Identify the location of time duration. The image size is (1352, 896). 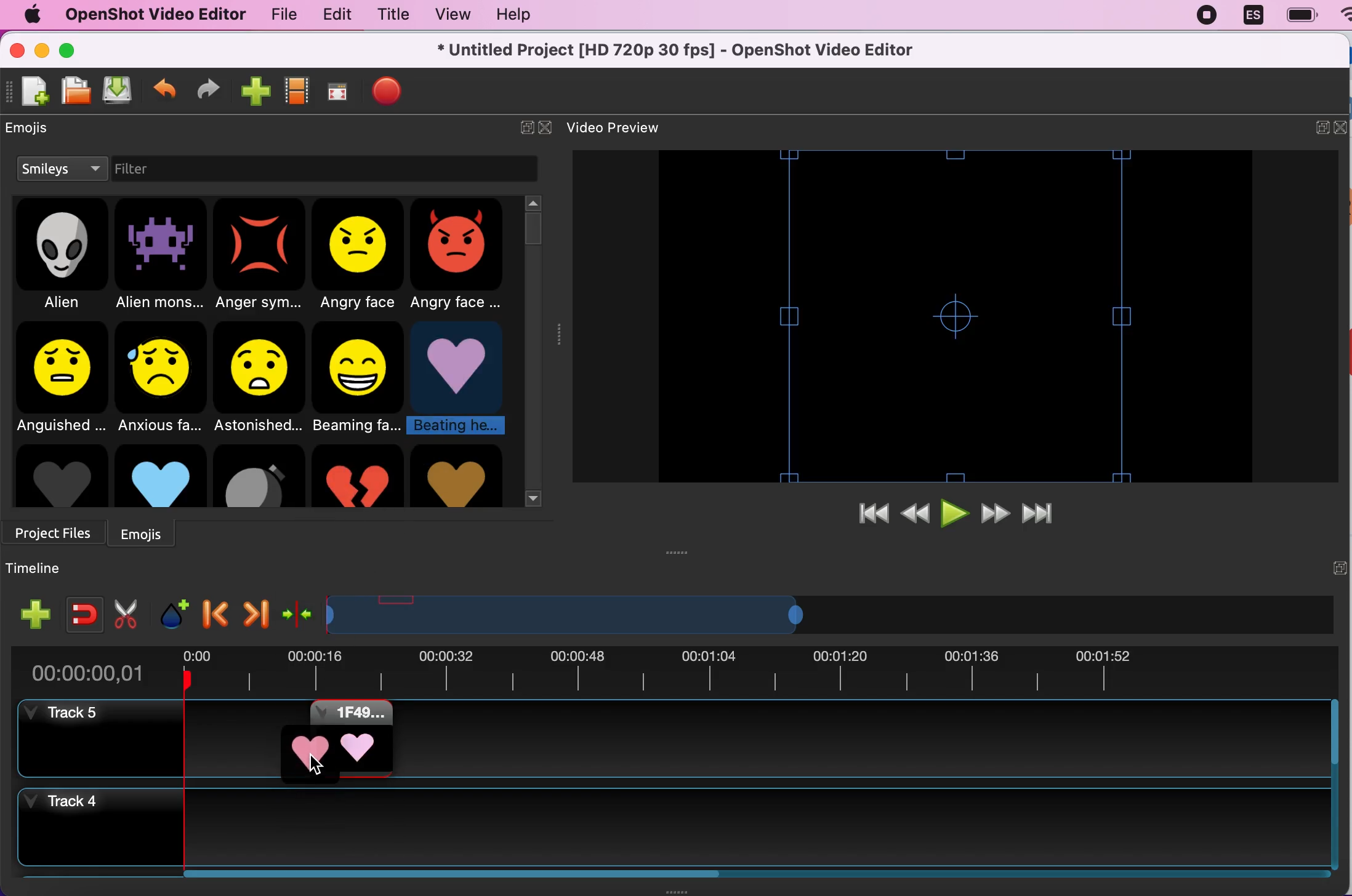
(673, 672).